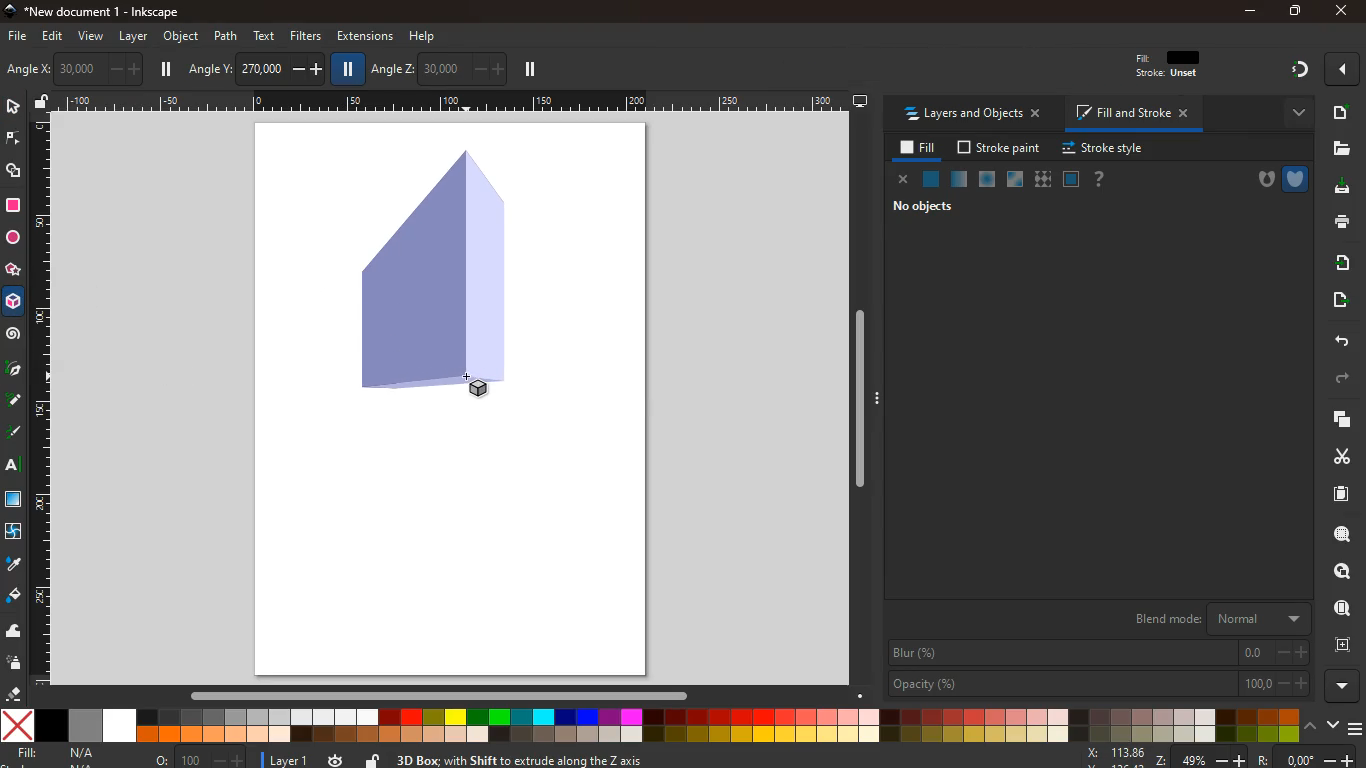 This screenshot has width=1366, height=768. What do you see at coordinates (57, 38) in the screenshot?
I see `edit` at bounding box center [57, 38].